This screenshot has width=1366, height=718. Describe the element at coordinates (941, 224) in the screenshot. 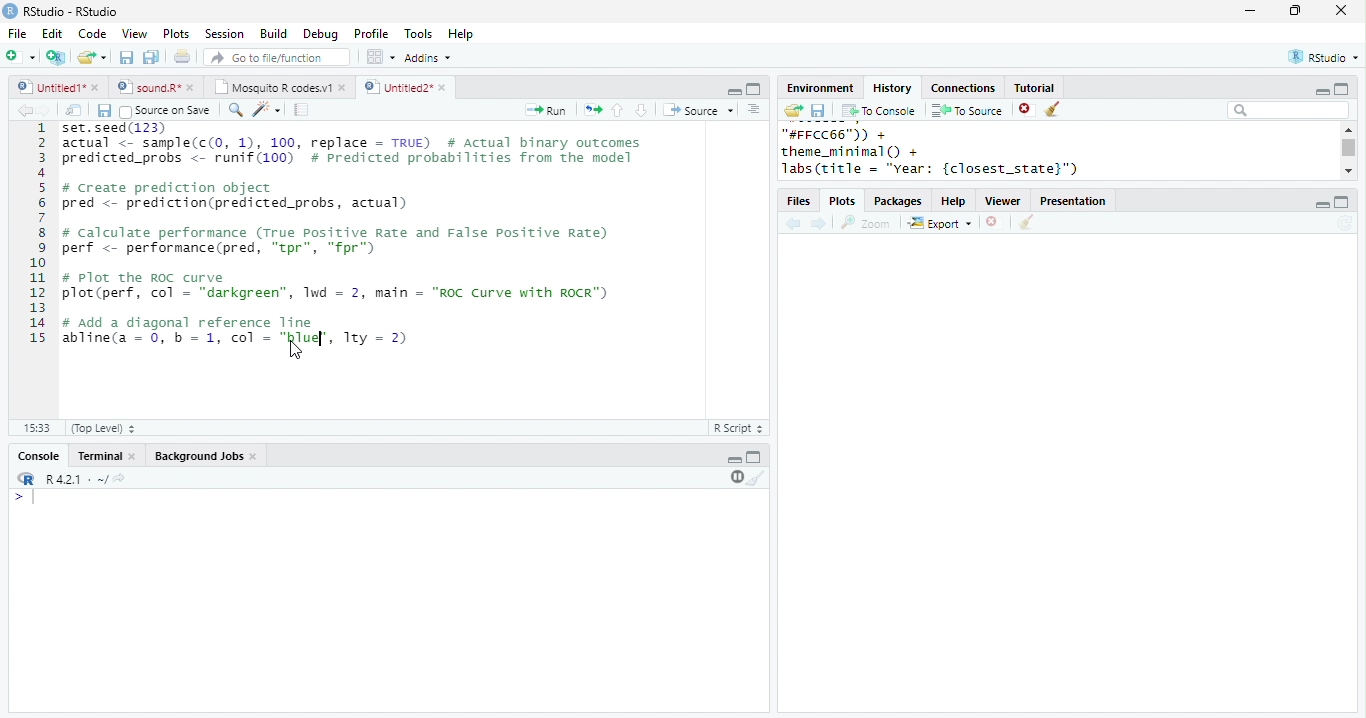

I see `Export` at that location.